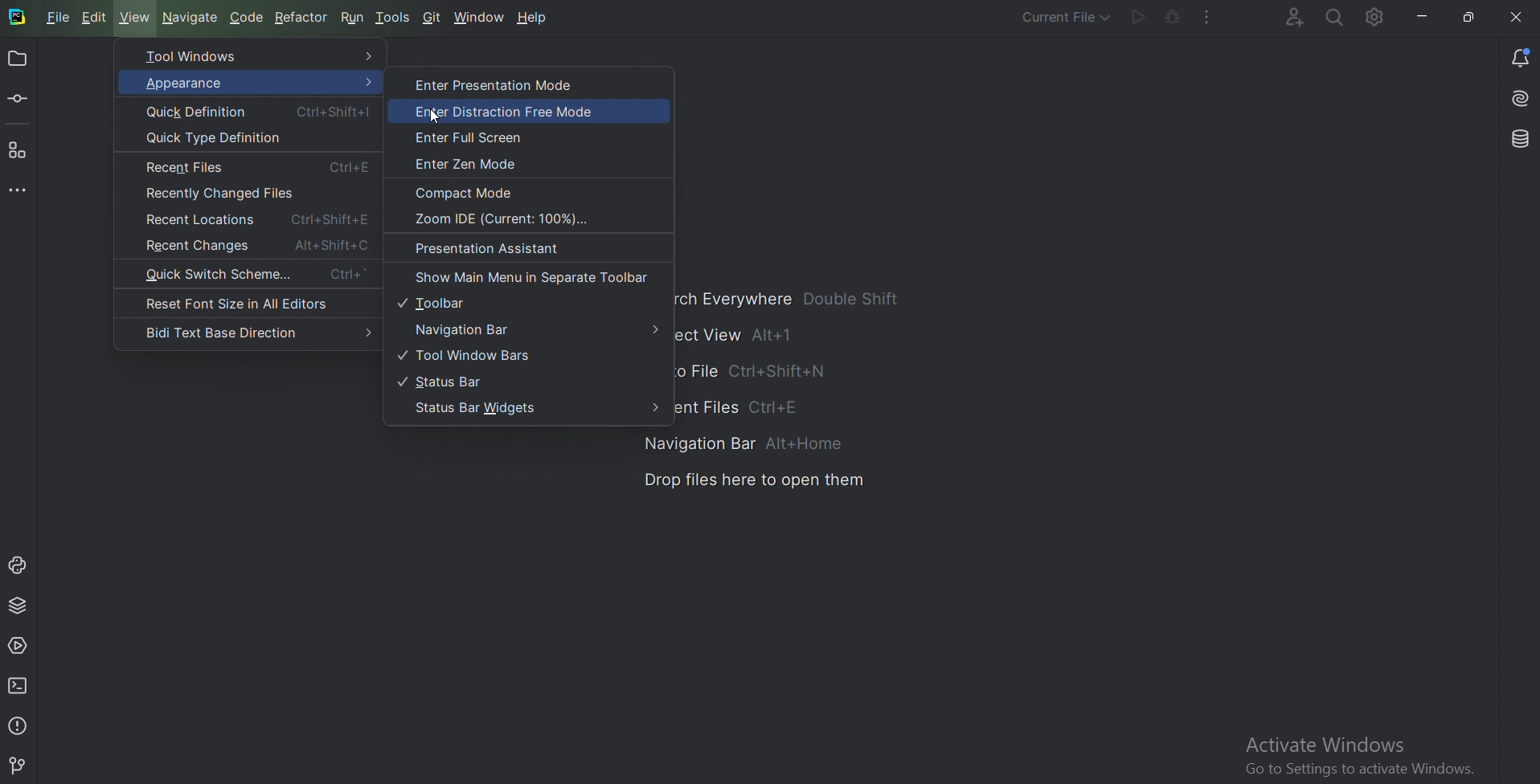 The height and width of the screenshot is (784, 1540). What do you see at coordinates (474, 164) in the screenshot?
I see `Enter Zen mode` at bounding box center [474, 164].